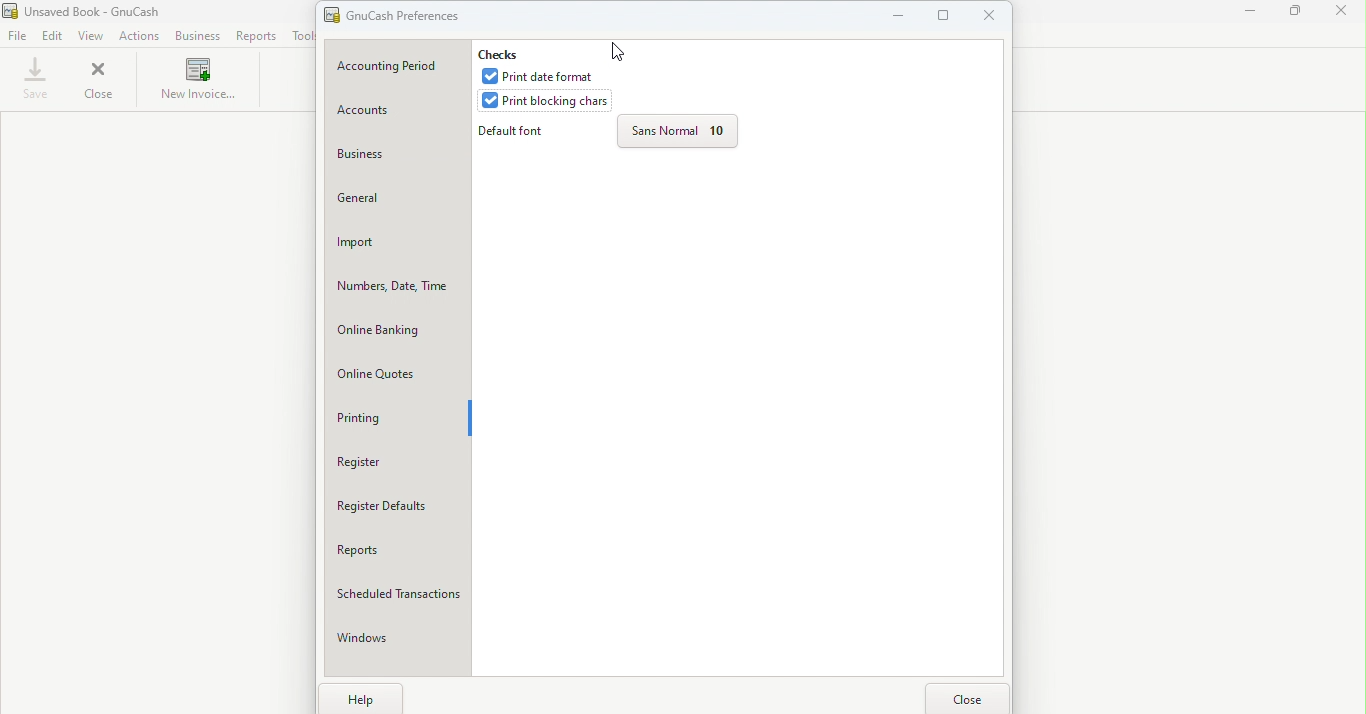 The width and height of the screenshot is (1366, 714). What do you see at coordinates (621, 47) in the screenshot?
I see `cursor` at bounding box center [621, 47].